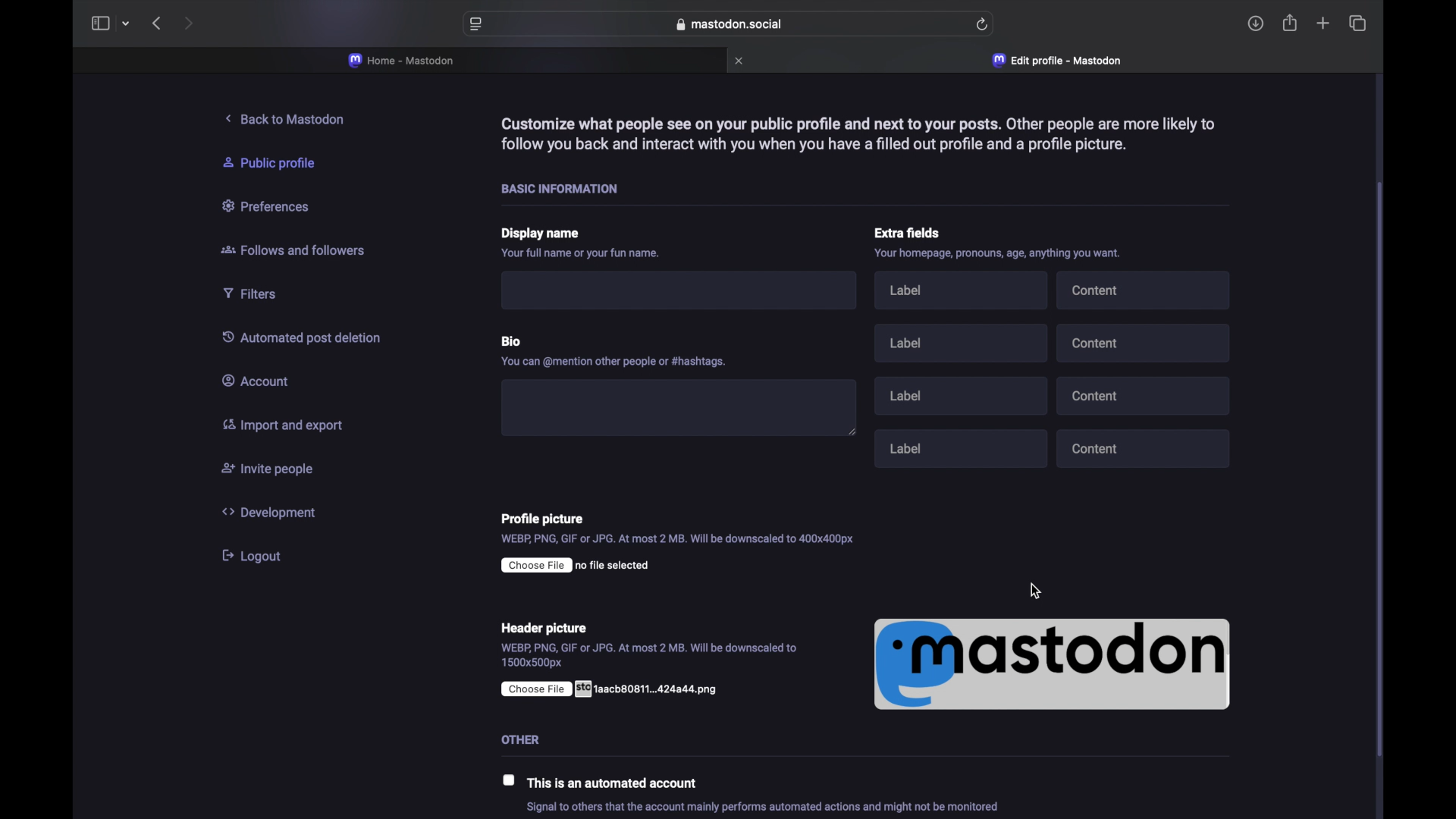 The image size is (1456, 819). Describe the element at coordinates (544, 626) in the screenshot. I see `Header picture` at that location.